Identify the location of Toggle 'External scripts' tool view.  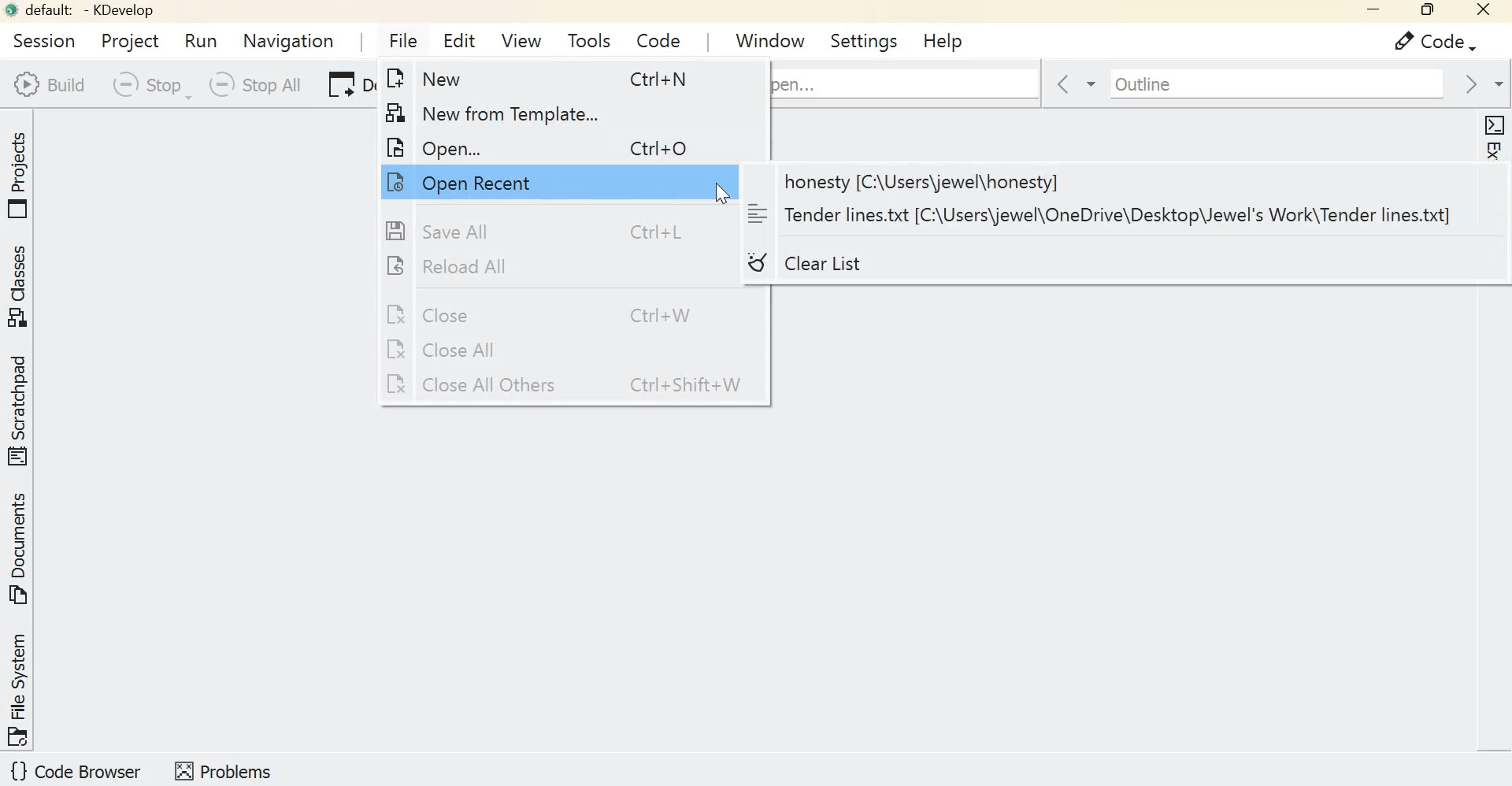
(1493, 191).